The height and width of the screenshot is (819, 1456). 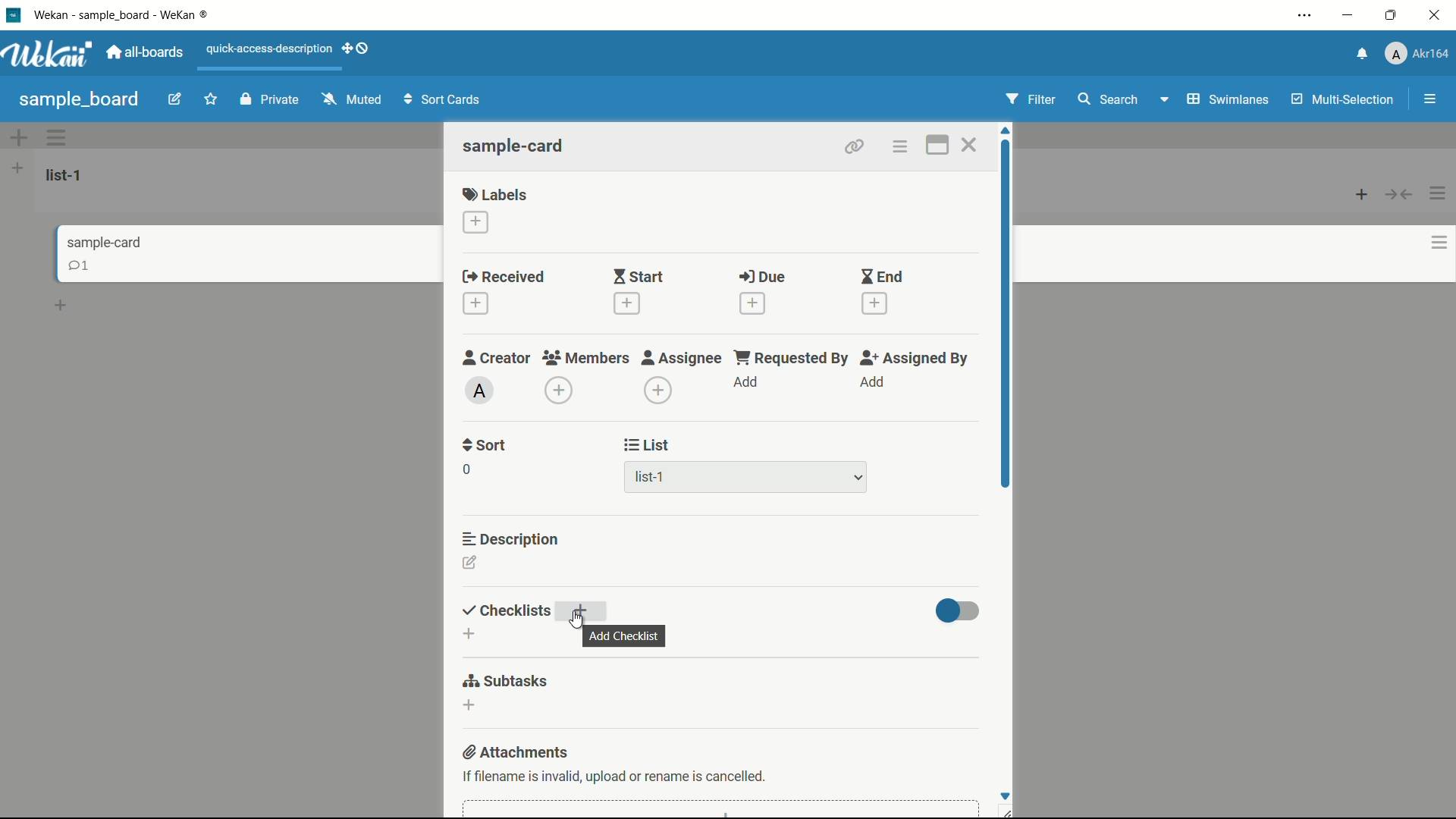 I want to click on minimize, so click(x=1349, y=16).